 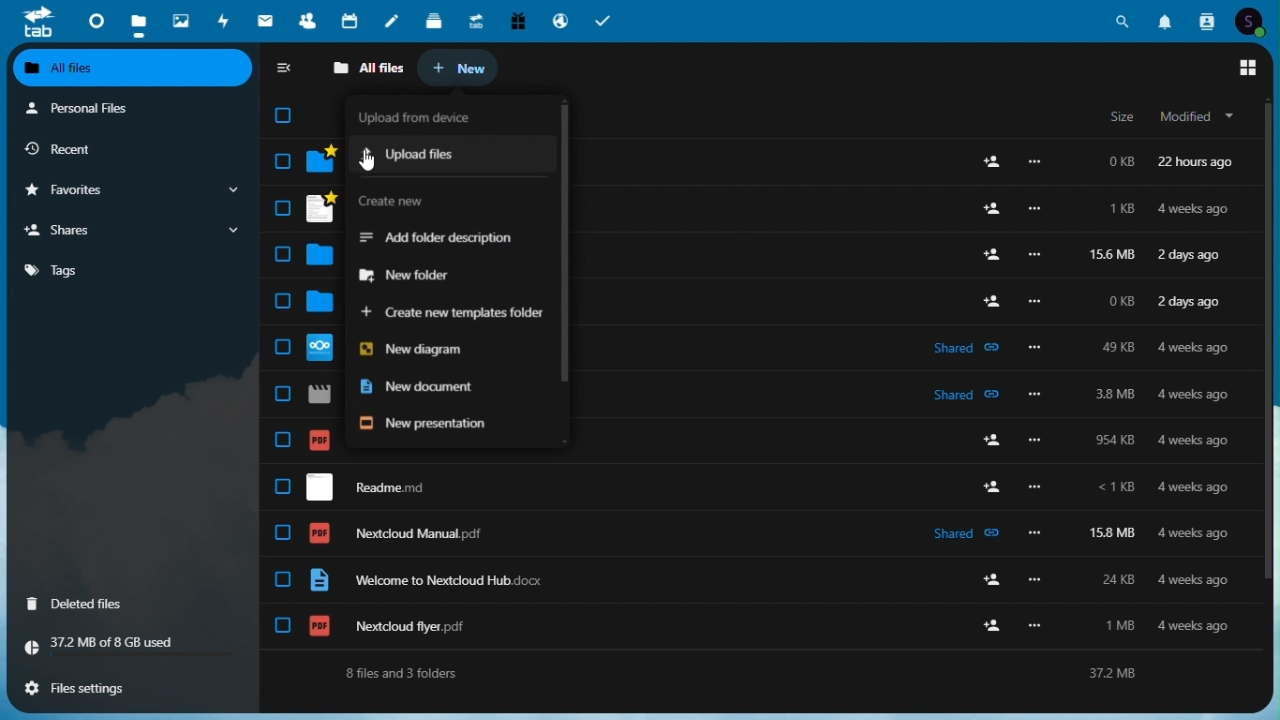 I want to click on file, so click(x=321, y=441).